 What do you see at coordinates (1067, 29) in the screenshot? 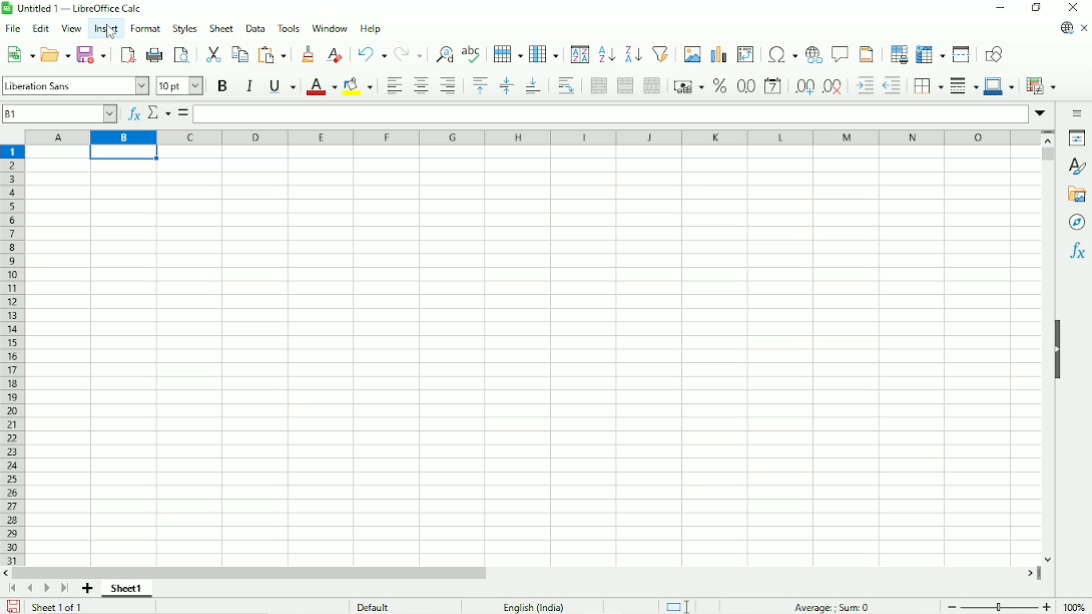
I see `Update available` at bounding box center [1067, 29].